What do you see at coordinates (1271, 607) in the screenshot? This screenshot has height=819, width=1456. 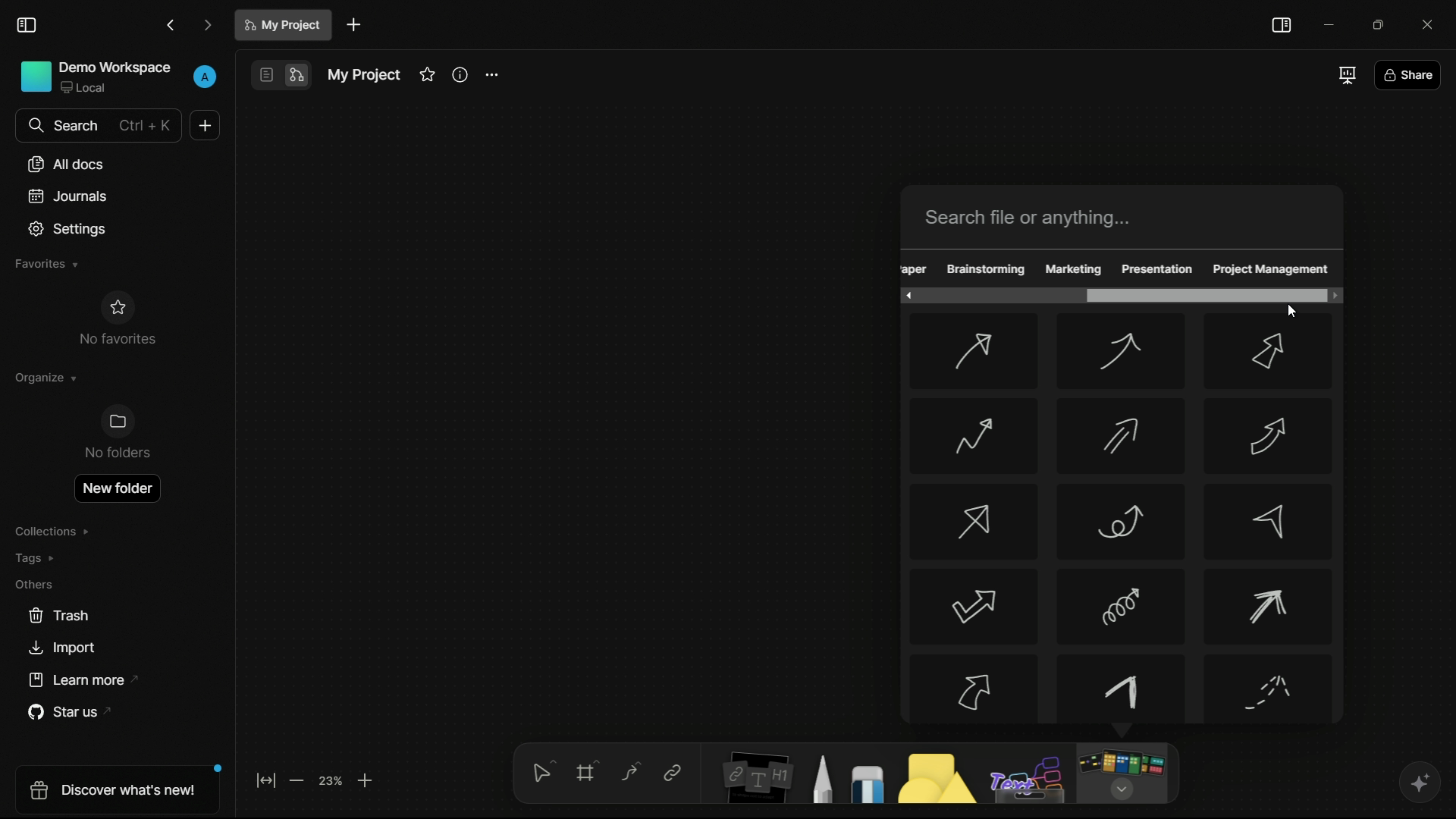 I see `arrow-12` at bounding box center [1271, 607].